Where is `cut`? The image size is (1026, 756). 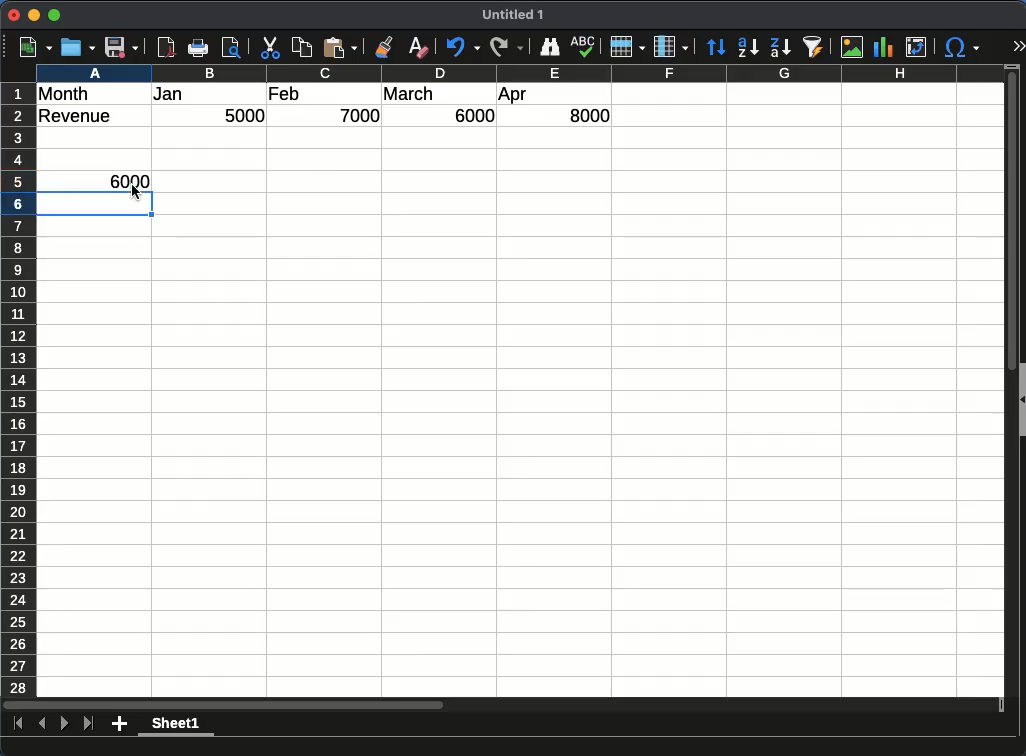
cut is located at coordinates (270, 47).